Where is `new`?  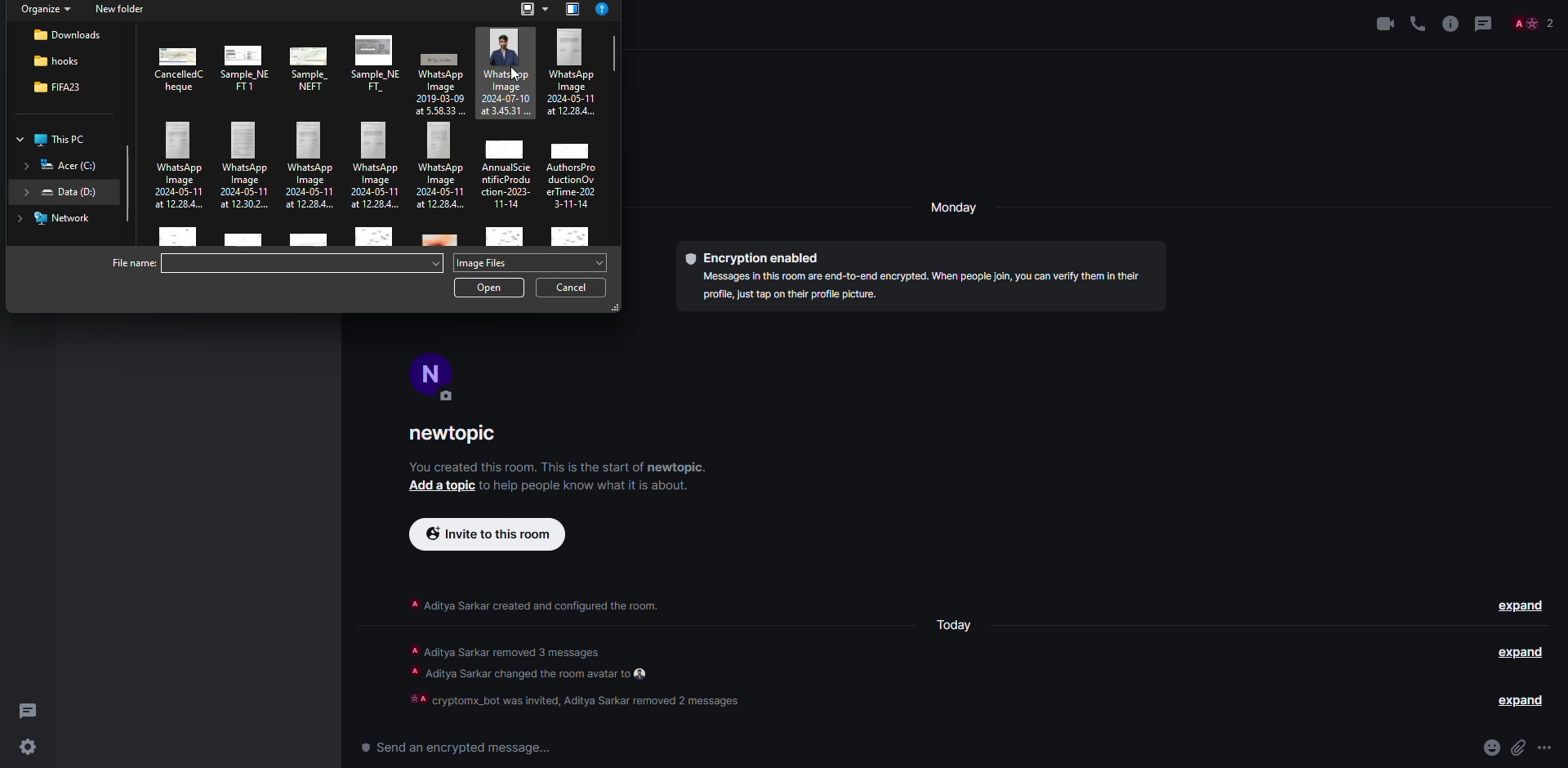 new is located at coordinates (120, 8).